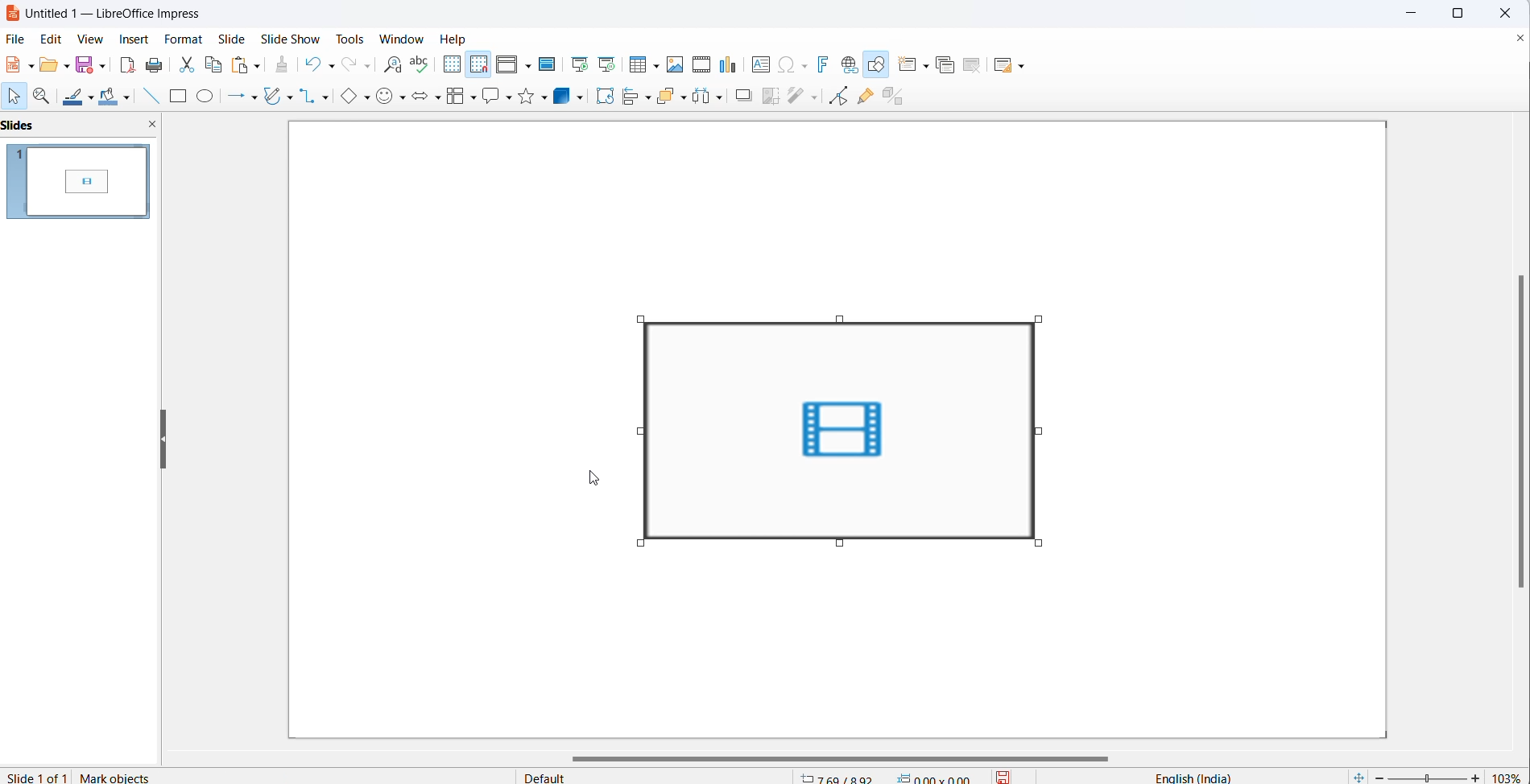 Image resolution: width=1530 pixels, height=784 pixels. Describe the element at coordinates (659, 775) in the screenshot. I see `slide master type` at that location.